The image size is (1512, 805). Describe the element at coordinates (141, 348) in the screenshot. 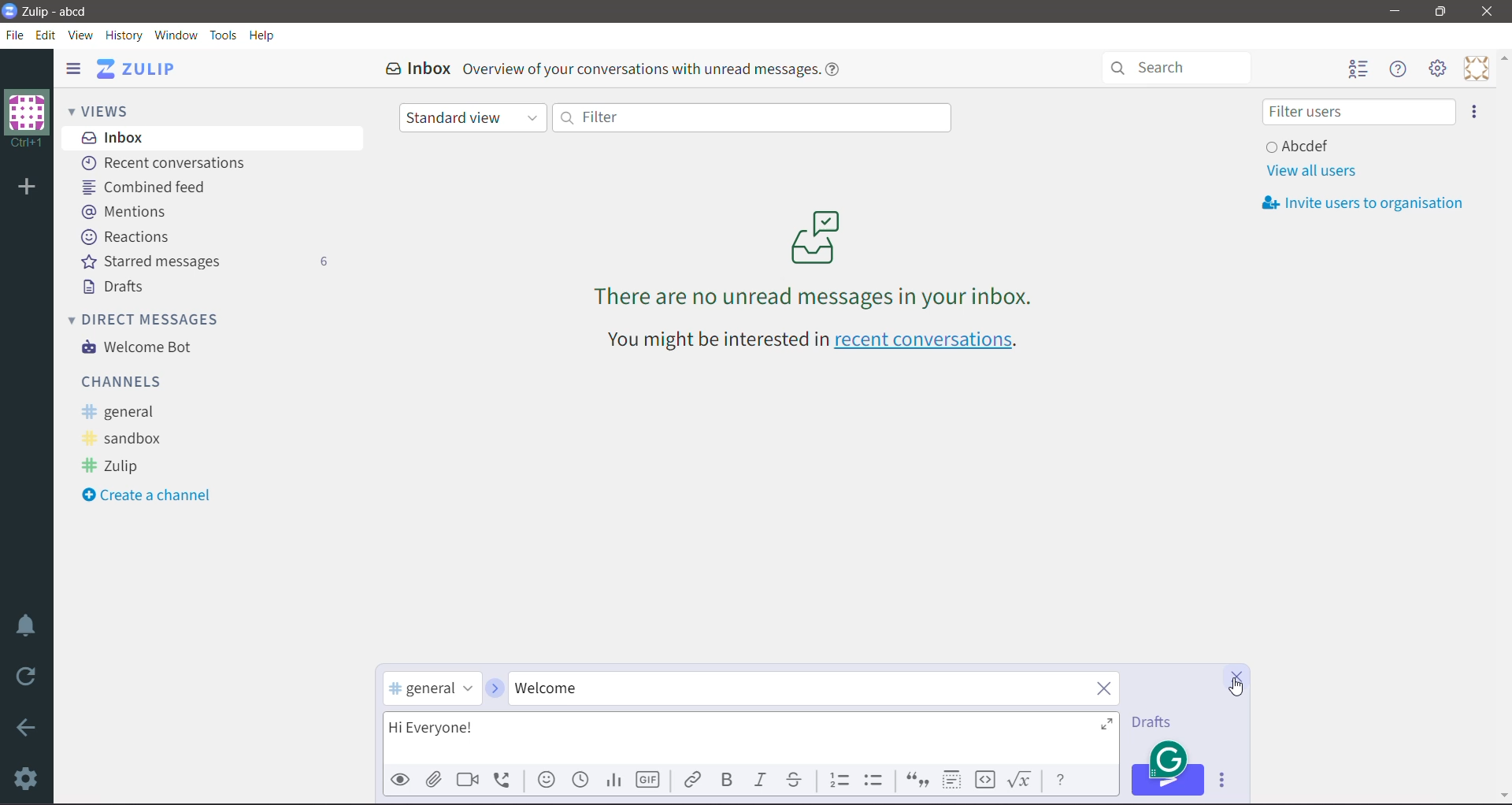

I see `Welcome Bot` at that location.